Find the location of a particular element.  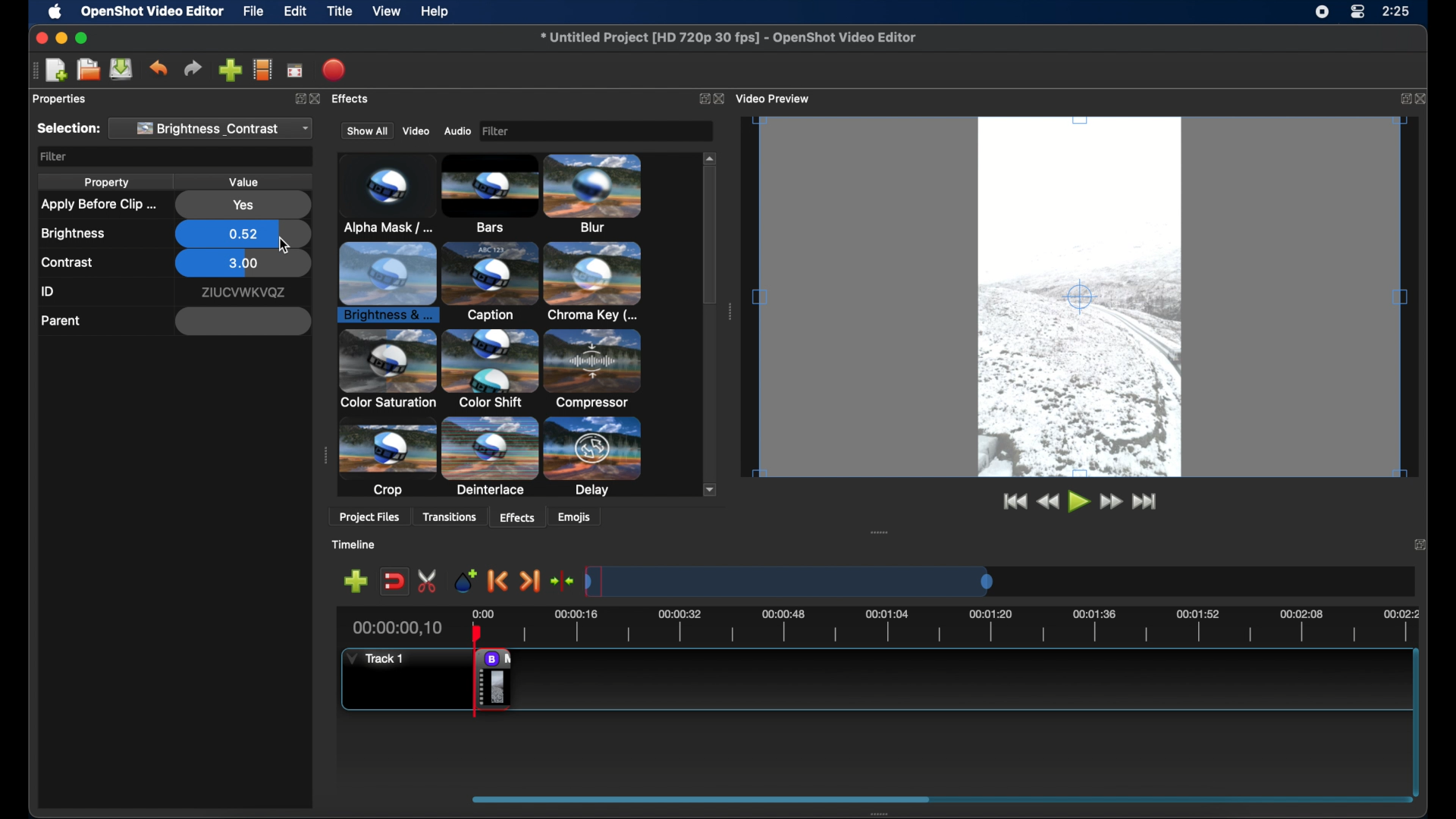

property is located at coordinates (106, 184).